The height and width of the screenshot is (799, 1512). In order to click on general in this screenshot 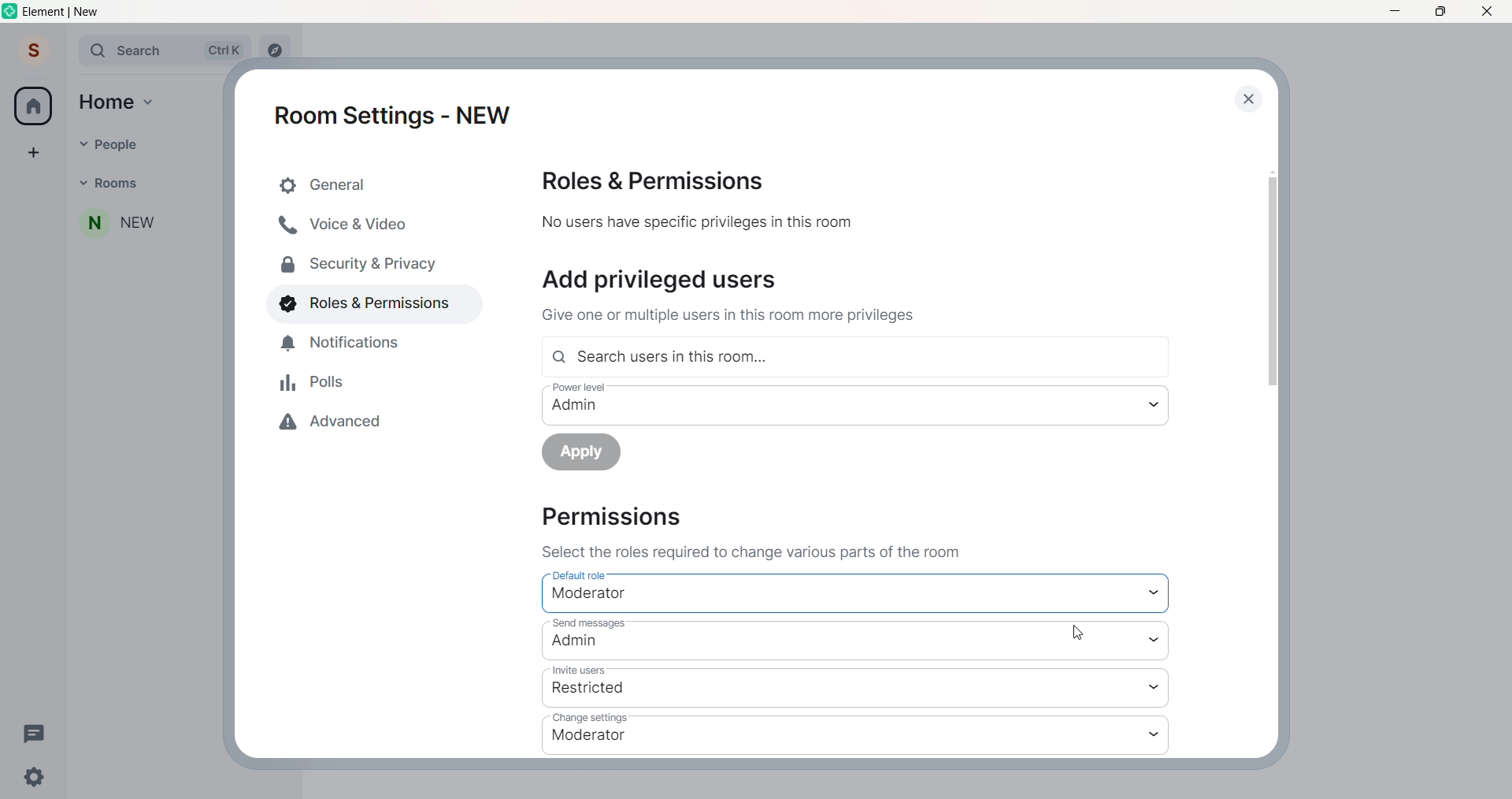, I will do `click(376, 184)`.